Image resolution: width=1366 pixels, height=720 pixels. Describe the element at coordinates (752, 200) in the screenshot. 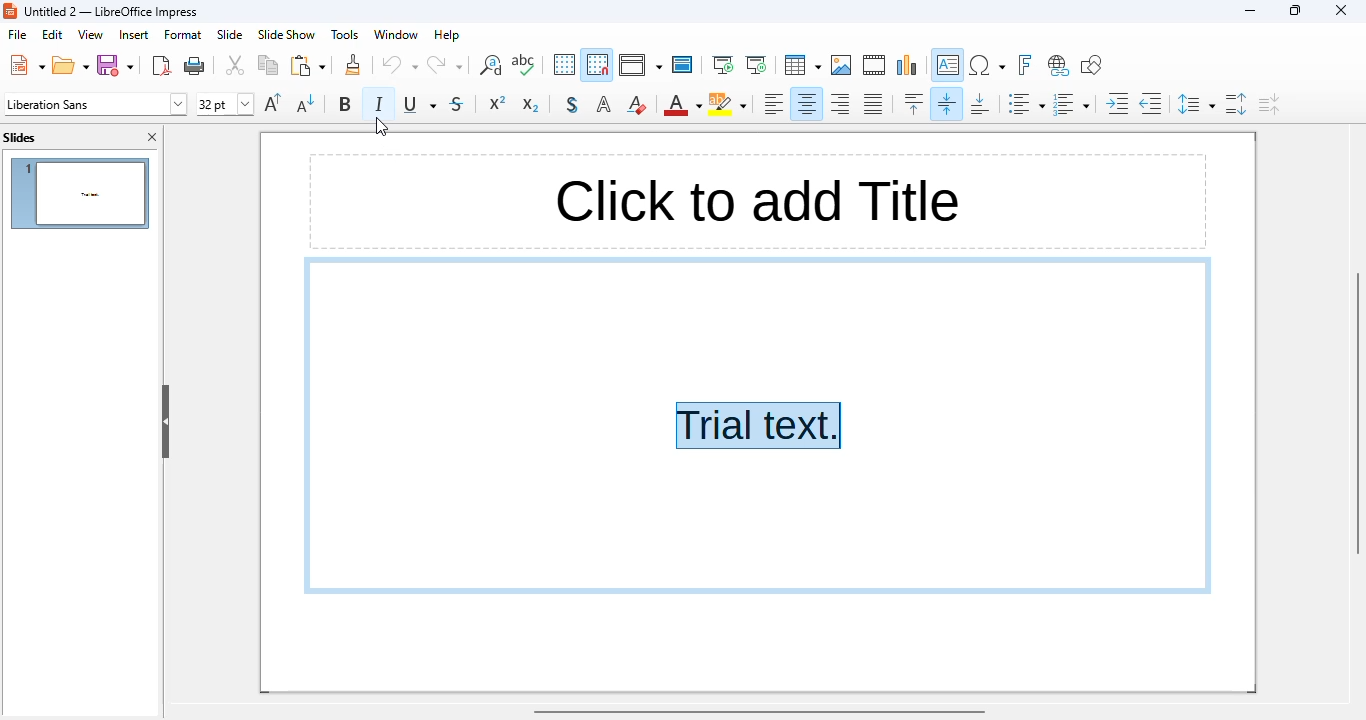

I see `Click to add title` at that location.